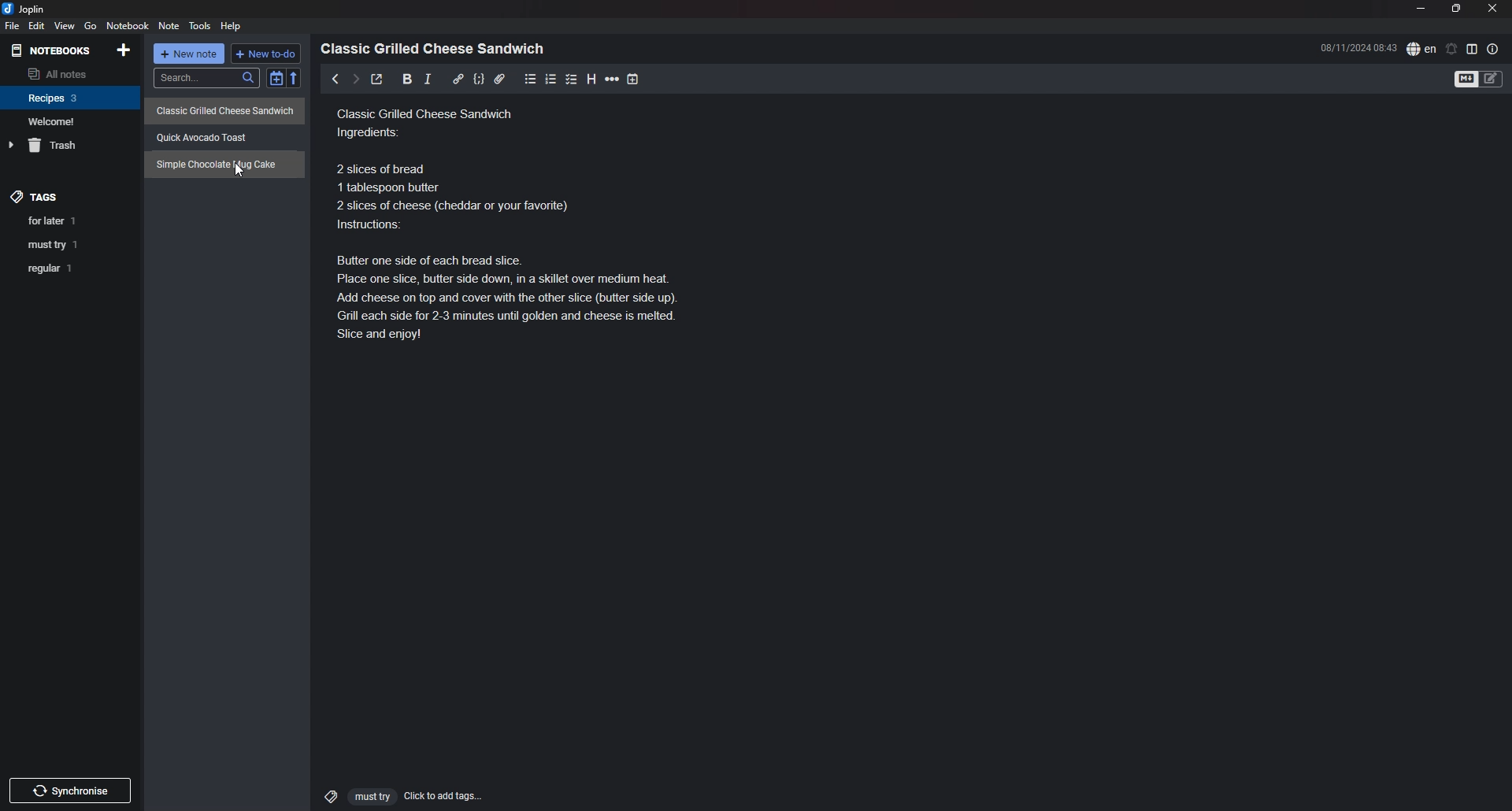  What do you see at coordinates (297, 79) in the screenshot?
I see `reverse sort order` at bounding box center [297, 79].